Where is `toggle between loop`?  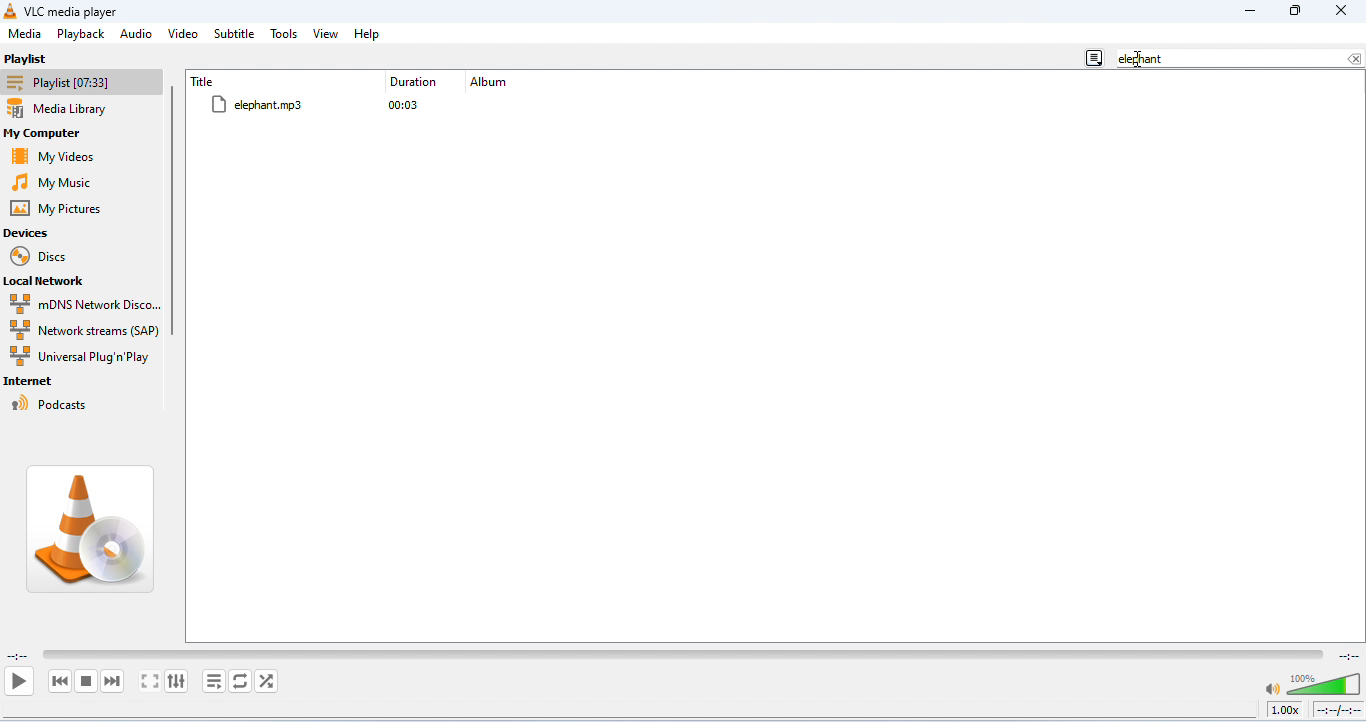
toggle between loop is located at coordinates (239, 681).